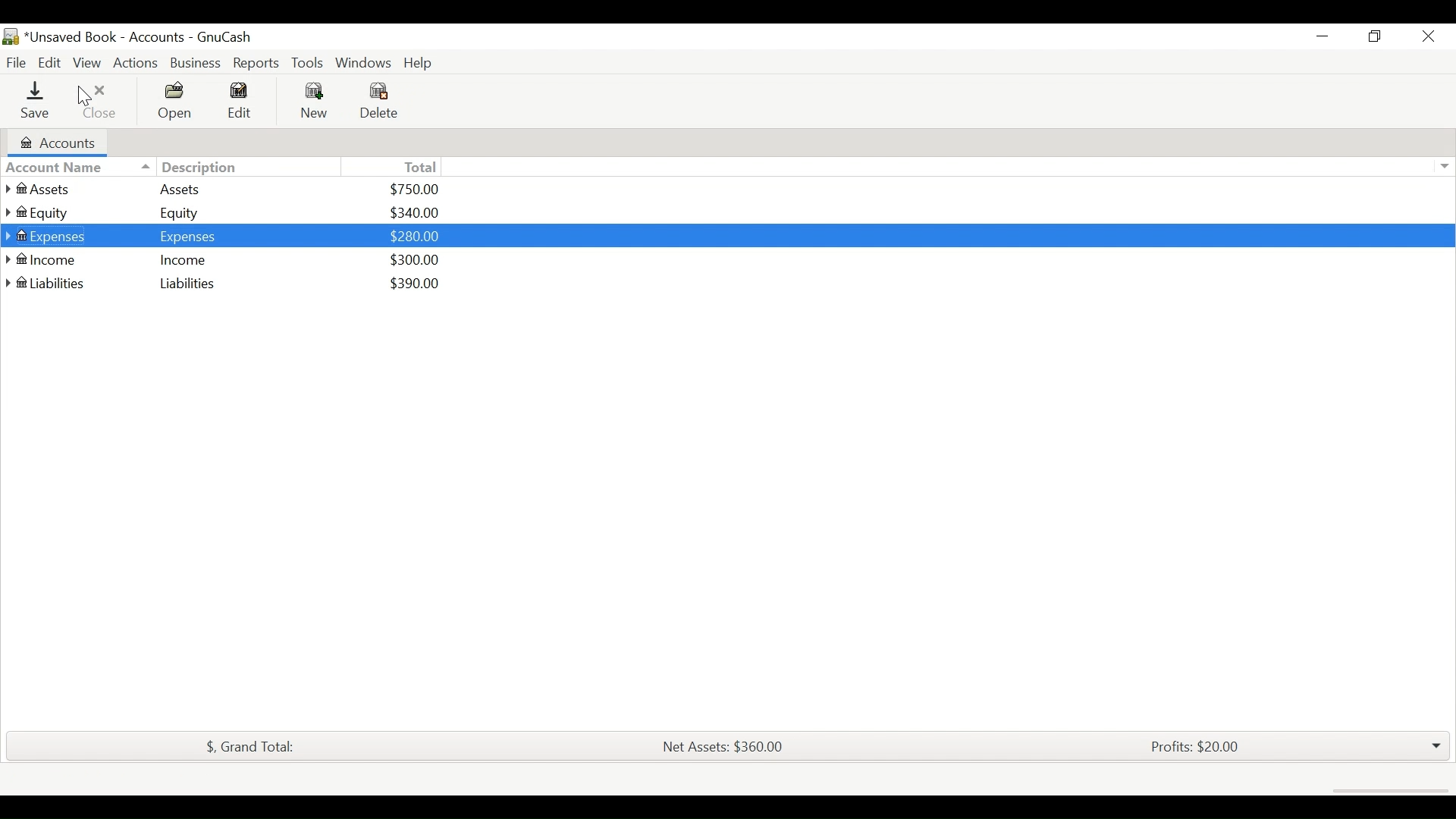  What do you see at coordinates (1373, 39) in the screenshot?
I see `maximize` at bounding box center [1373, 39].